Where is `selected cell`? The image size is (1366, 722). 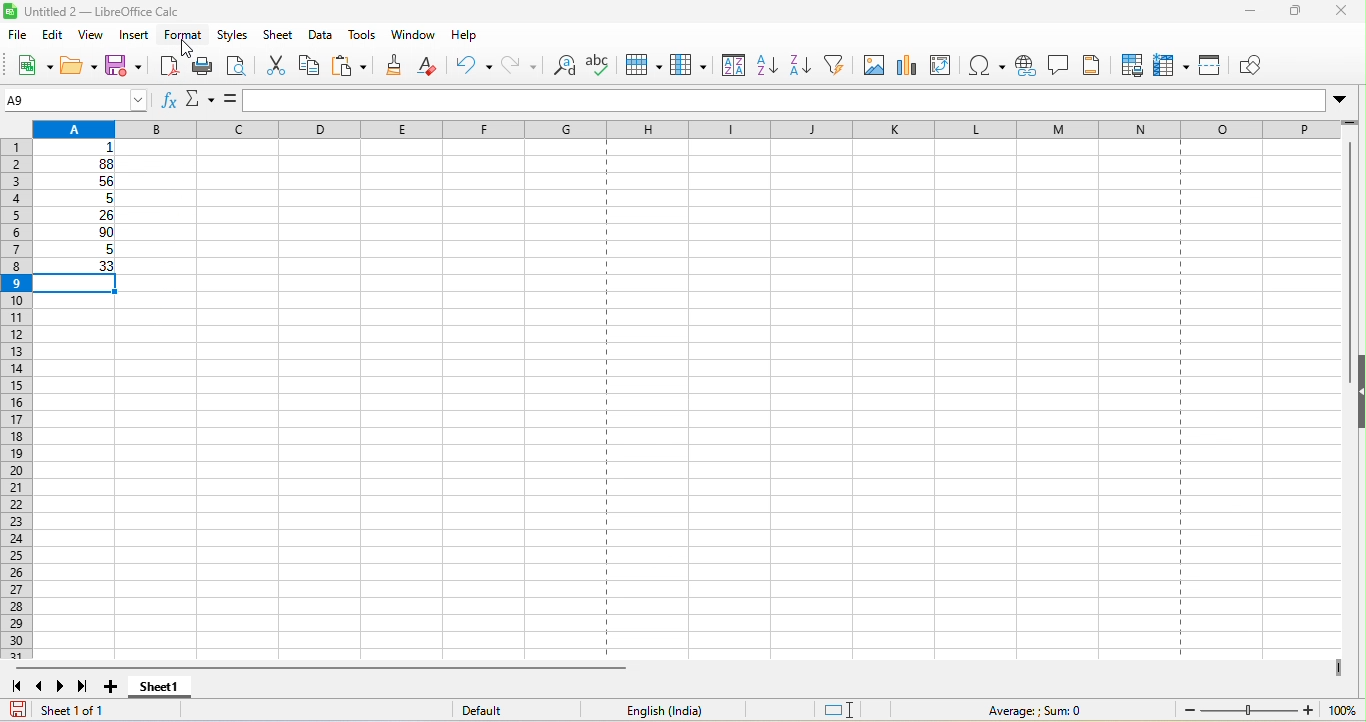
selected cell is located at coordinates (81, 285).